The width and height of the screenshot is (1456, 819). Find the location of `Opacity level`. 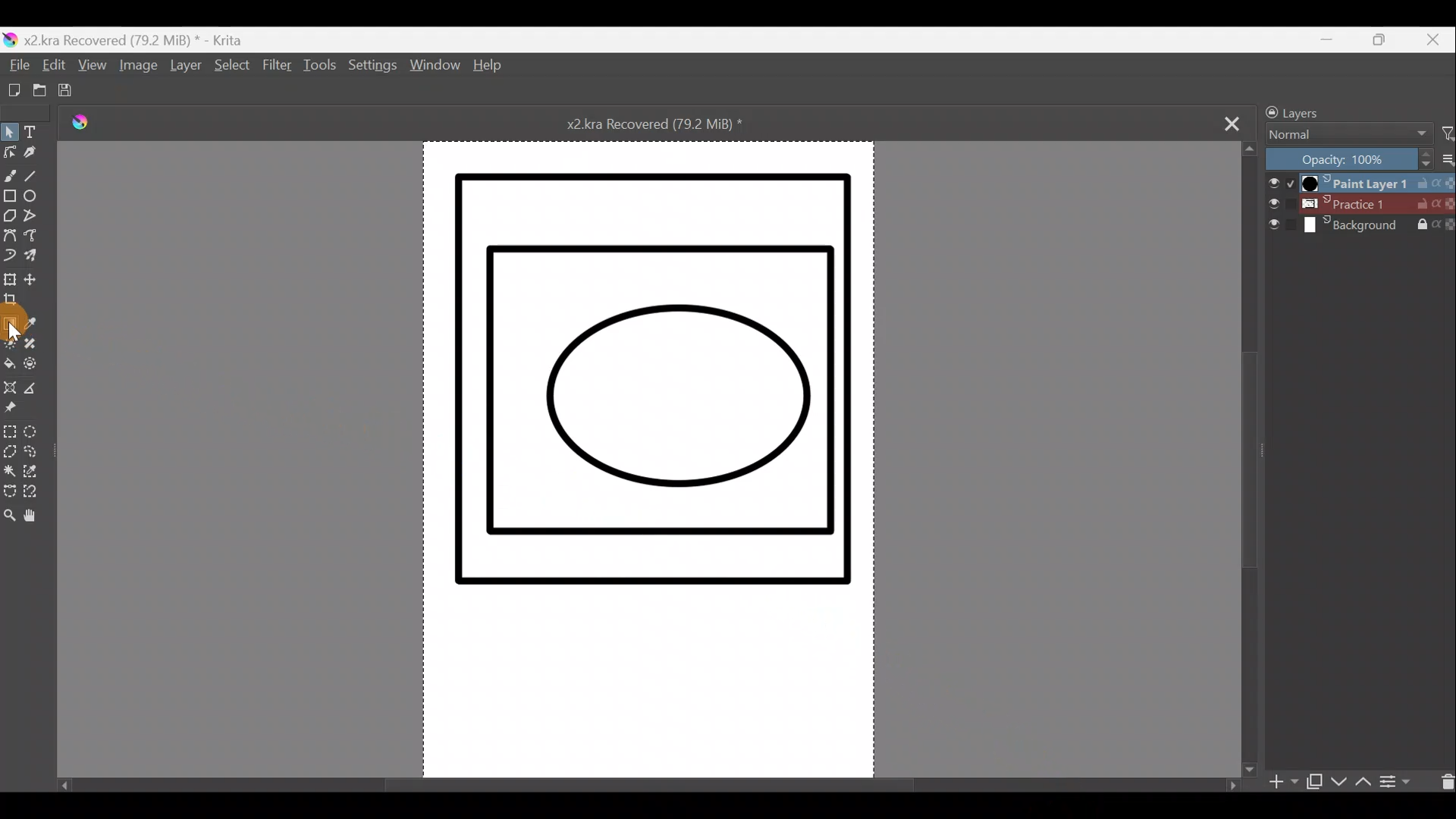

Opacity level is located at coordinates (1359, 158).